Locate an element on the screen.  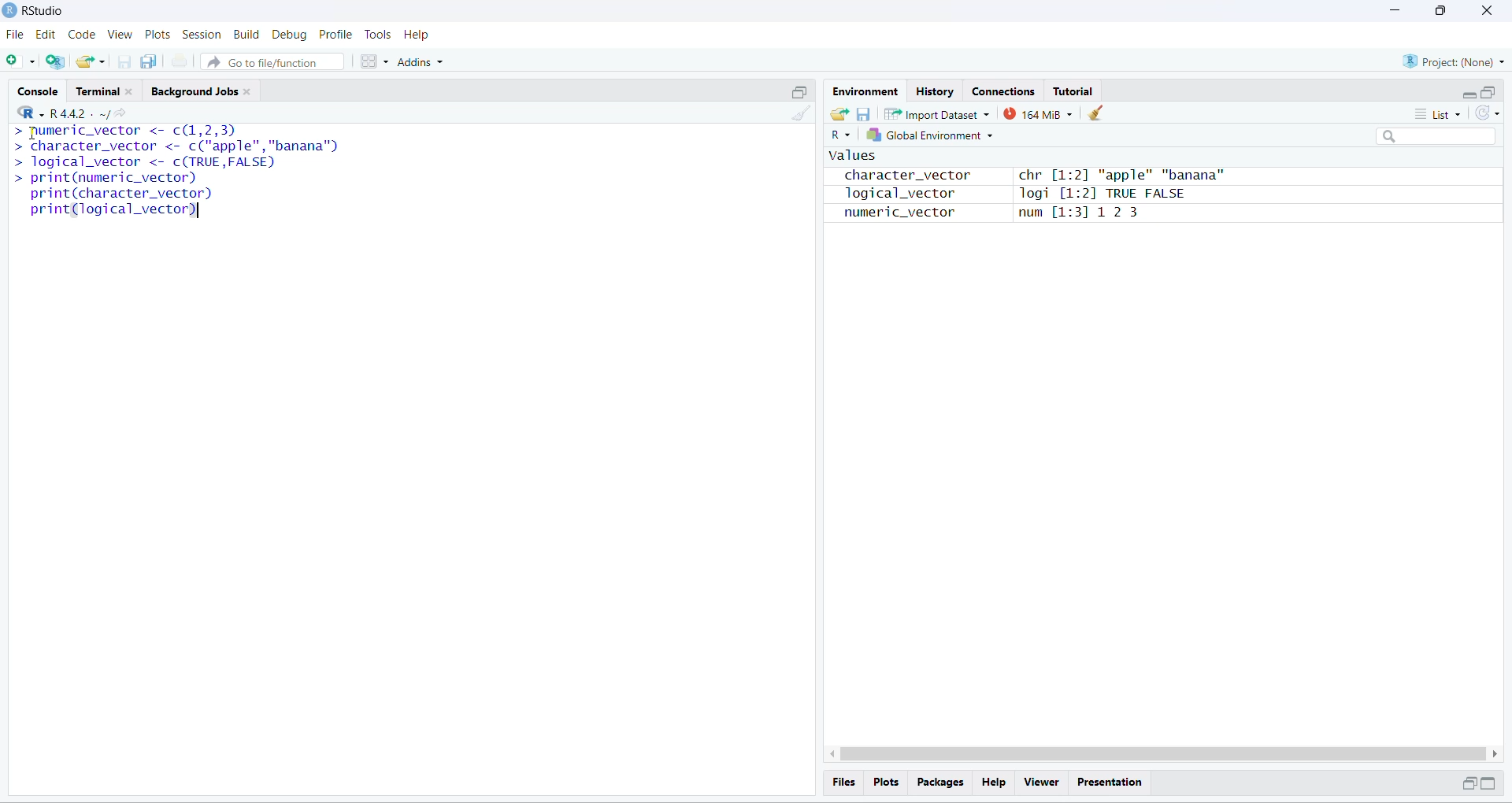
chr [1:2] "apple" "banana" is located at coordinates (1121, 176).